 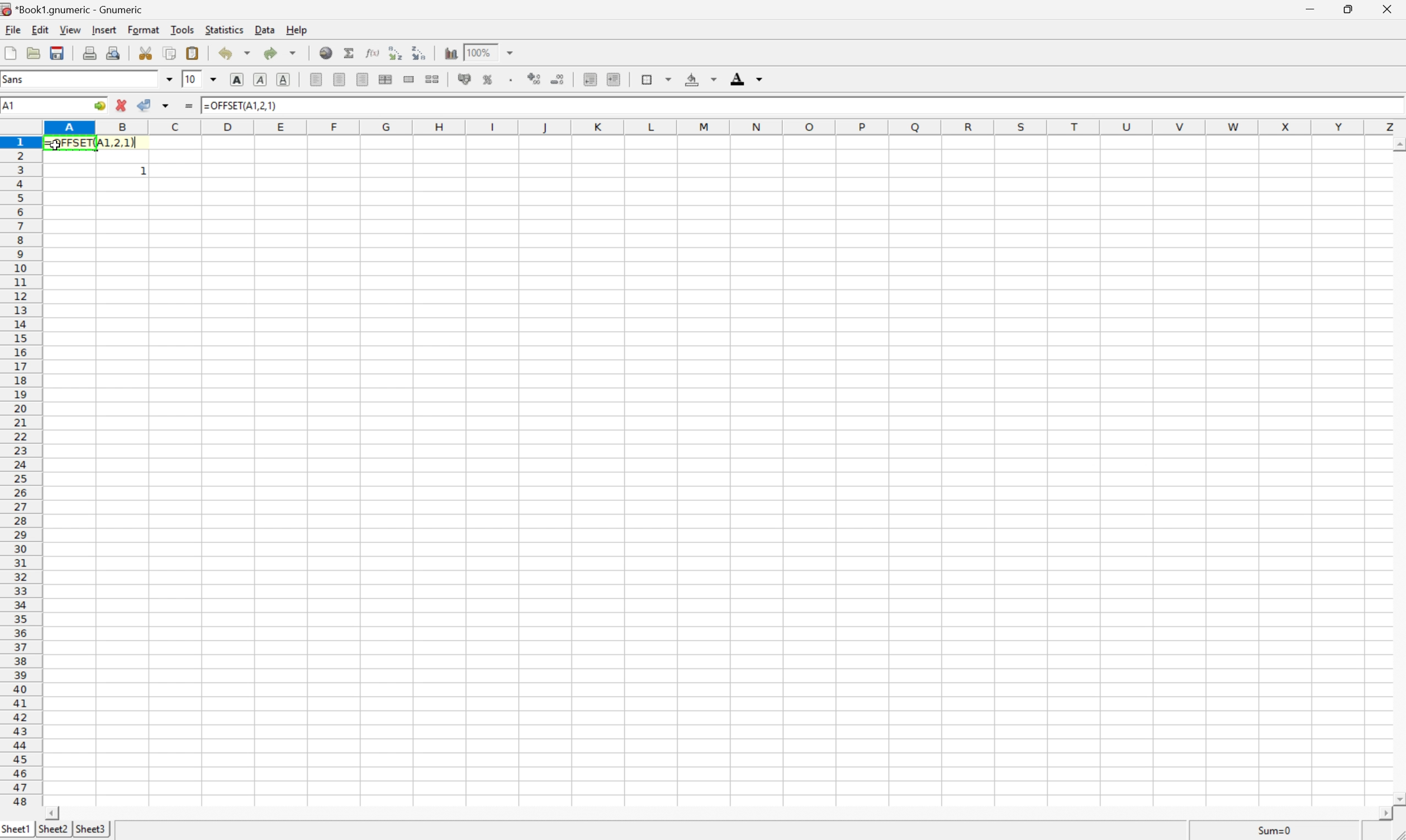 I want to click on Column names, so click(x=725, y=130).